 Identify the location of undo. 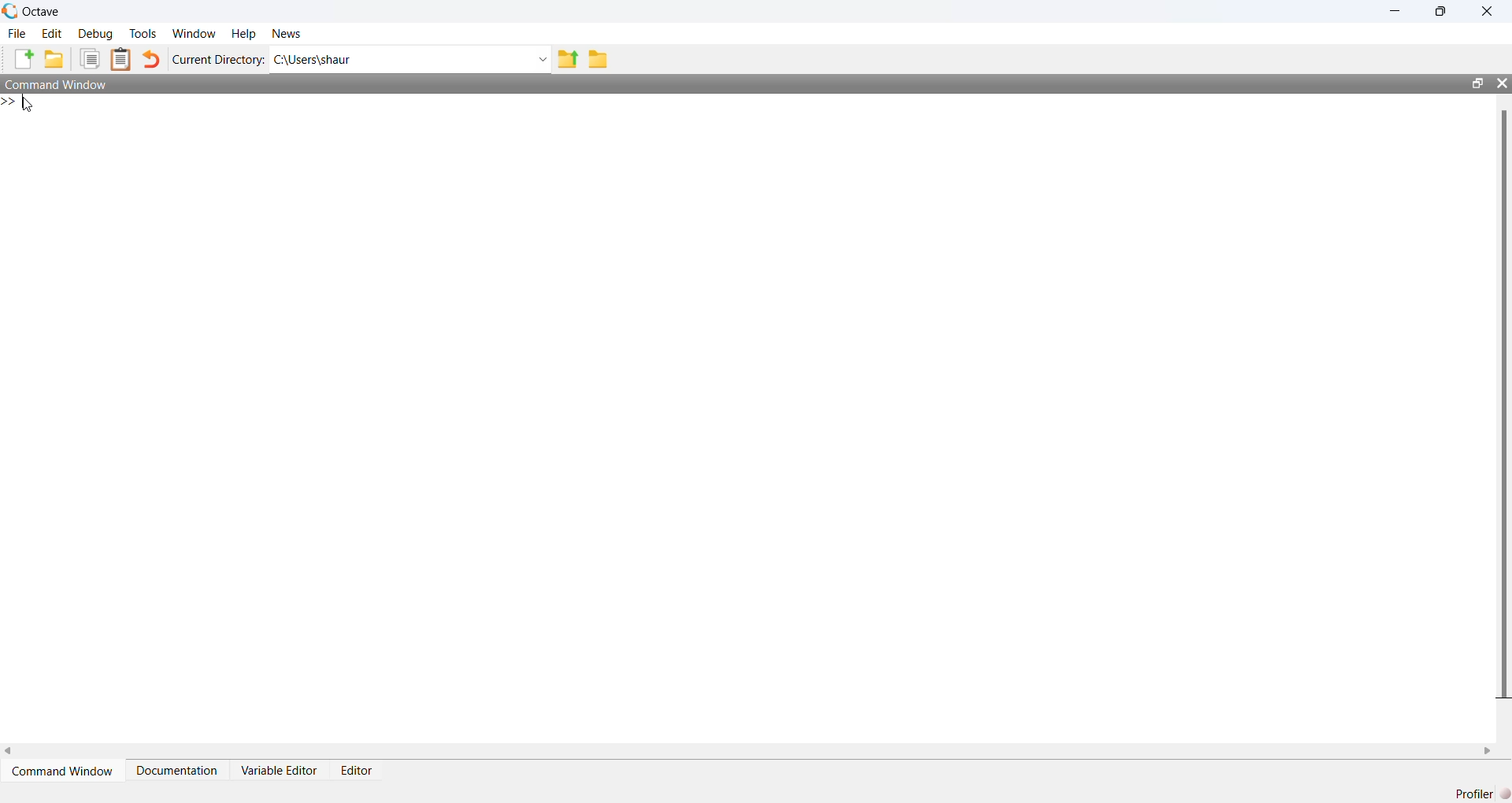
(151, 59).